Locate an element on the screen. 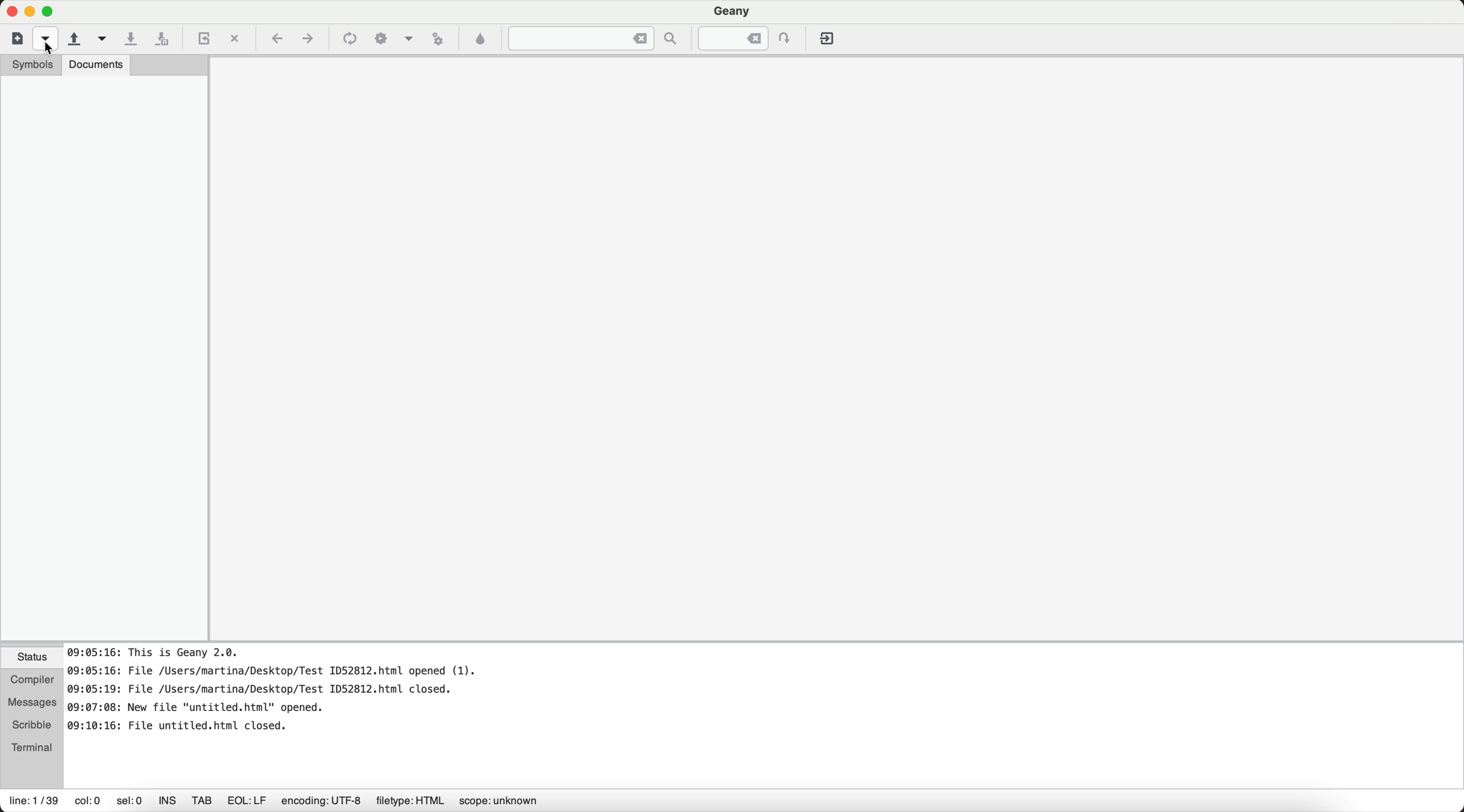  open an existing file is located at coordinates (73, 38).